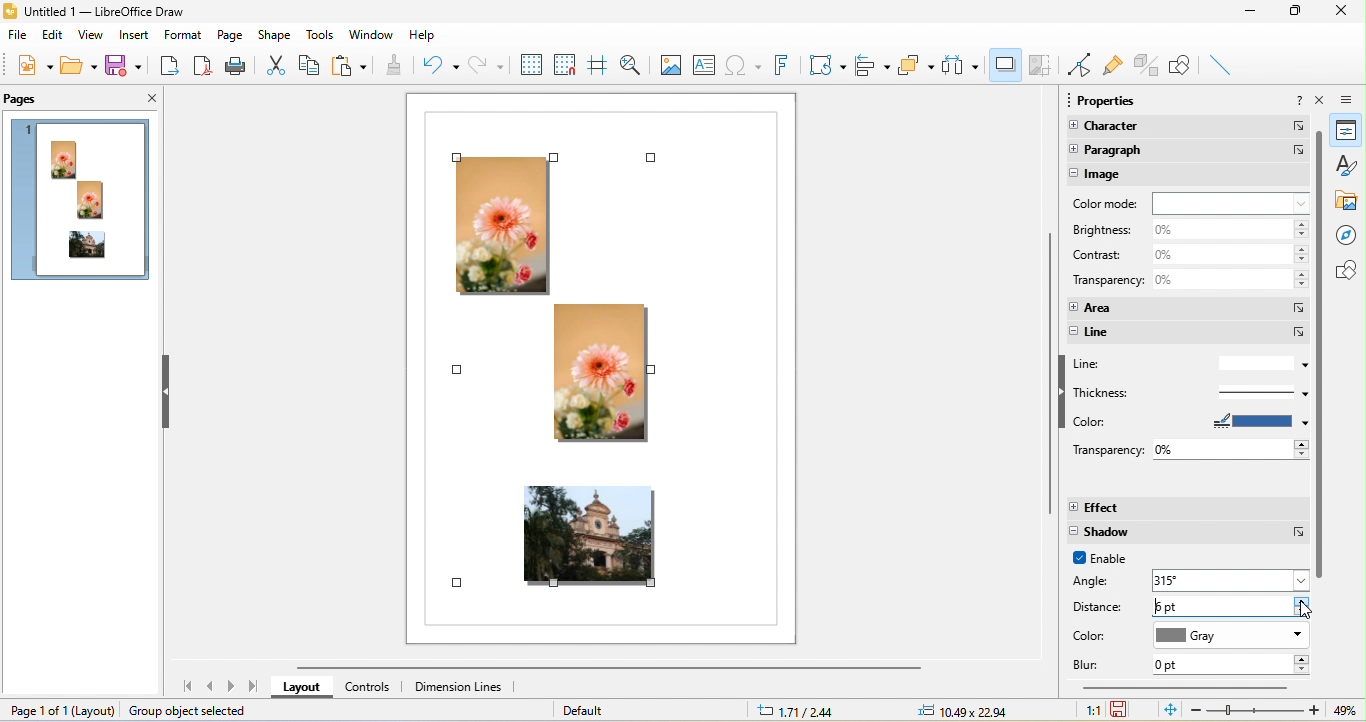  I want to click on zoom and pan, so click(631, 65).